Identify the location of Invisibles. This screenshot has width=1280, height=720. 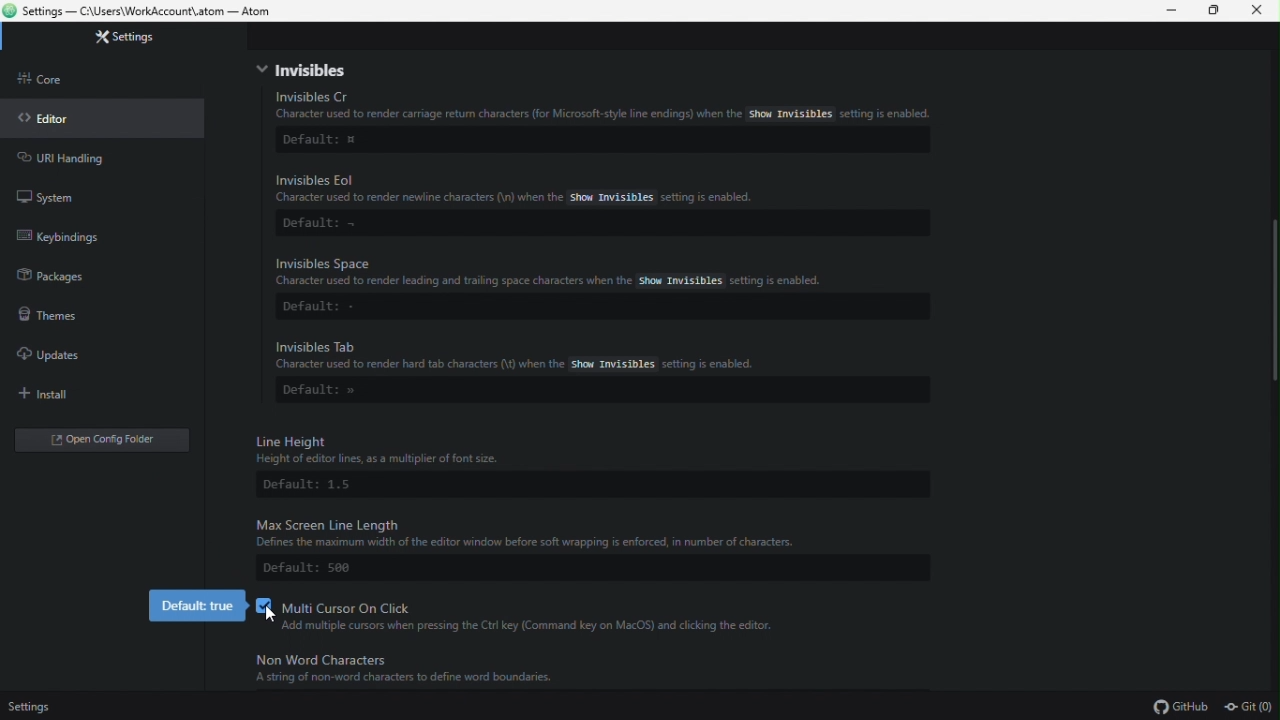
(304, 70).